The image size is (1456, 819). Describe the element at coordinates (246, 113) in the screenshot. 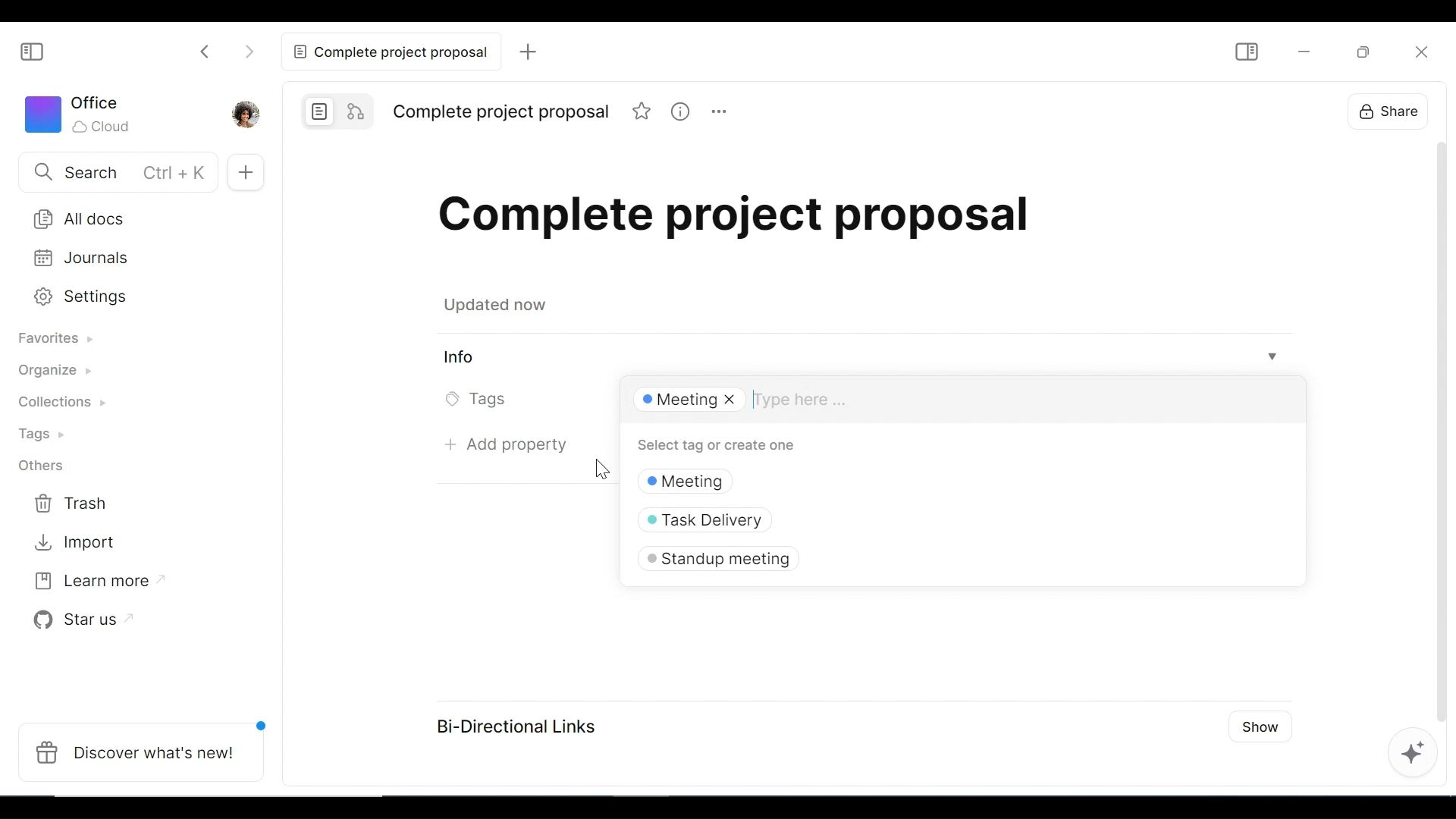

I see `Profile picture` at that location.